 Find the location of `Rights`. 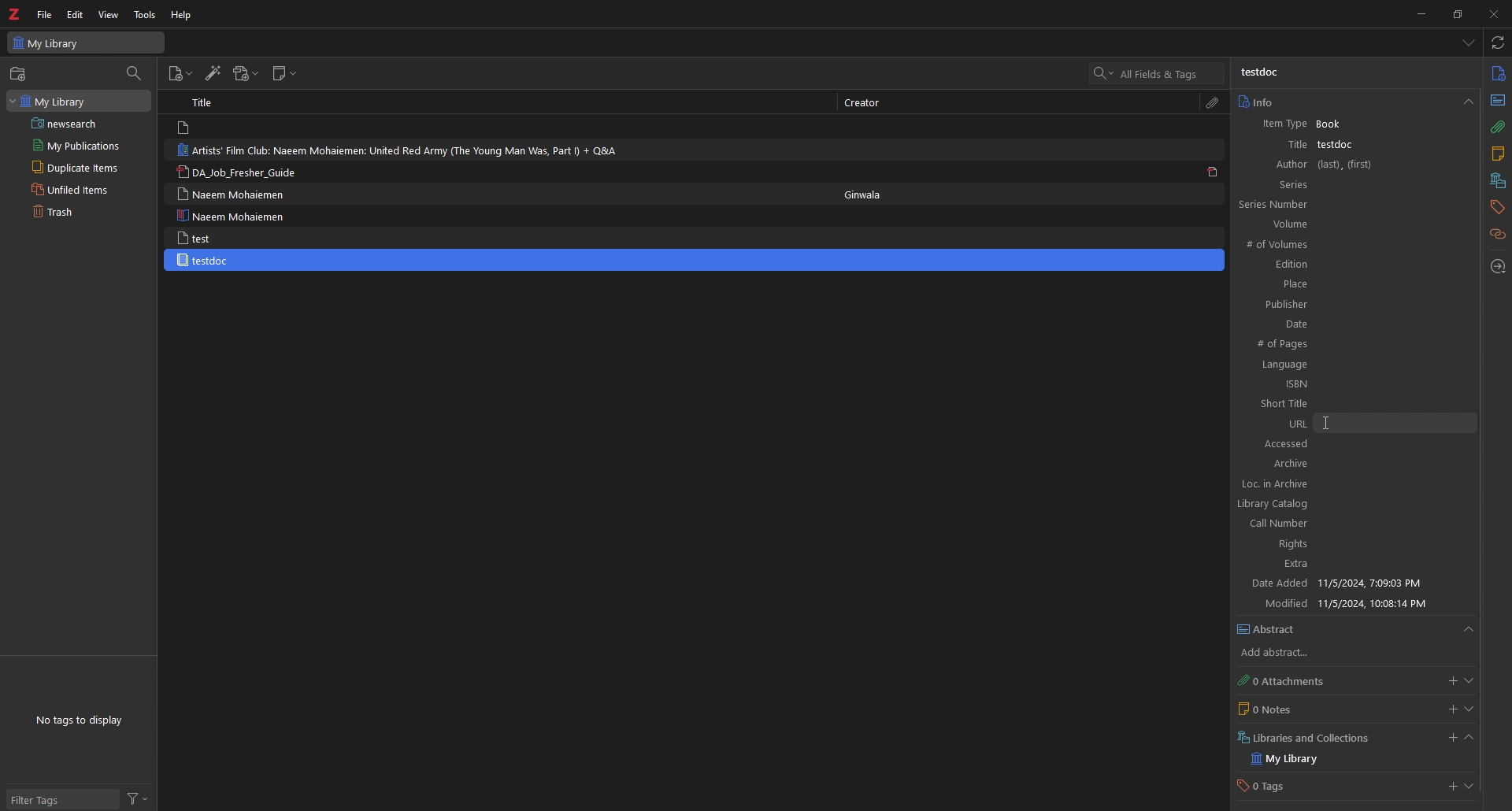

Rights is located at coordinates (1347, 546).